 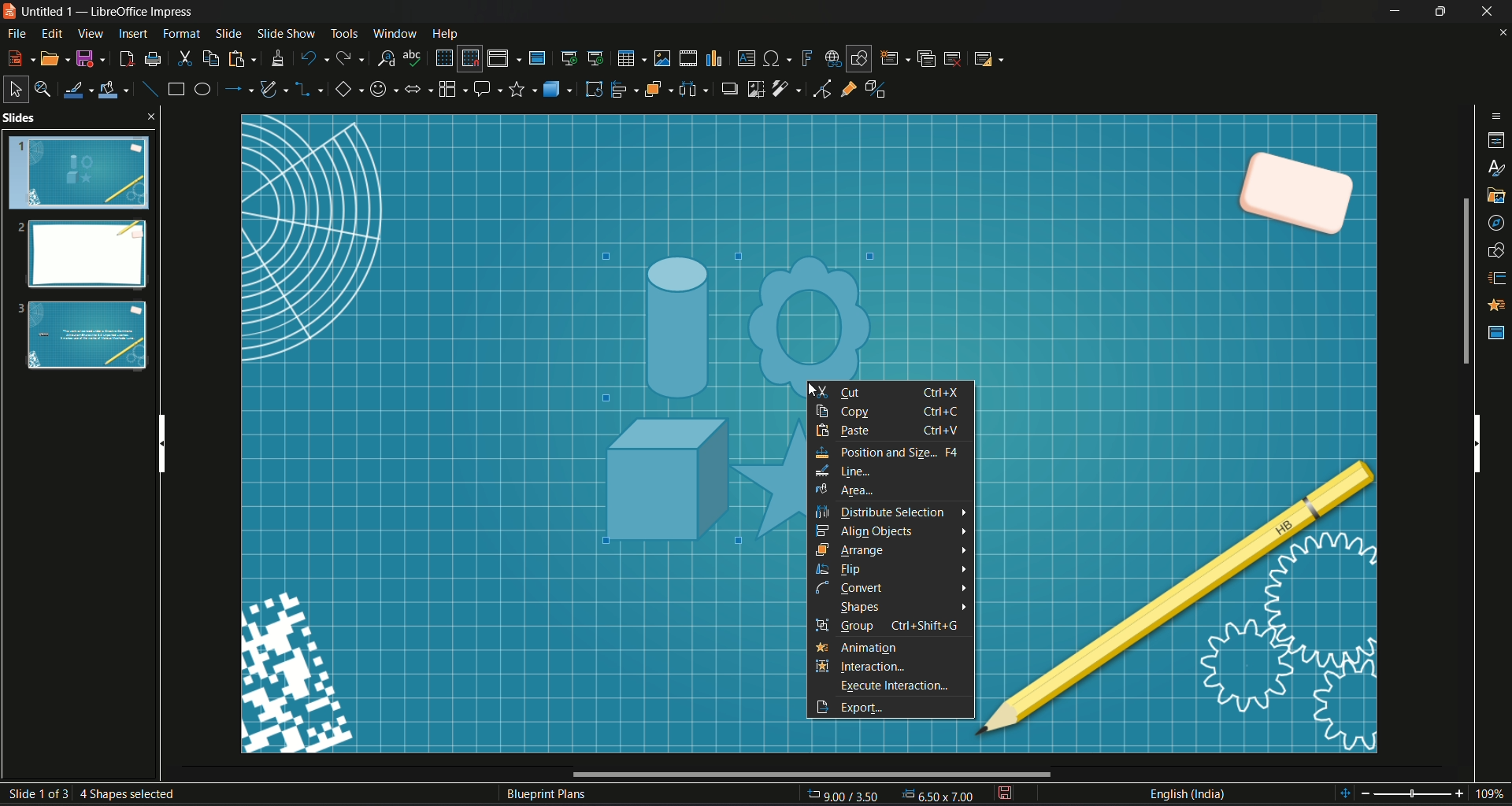 I want to click on find and replace, so click(x=384, y=57).